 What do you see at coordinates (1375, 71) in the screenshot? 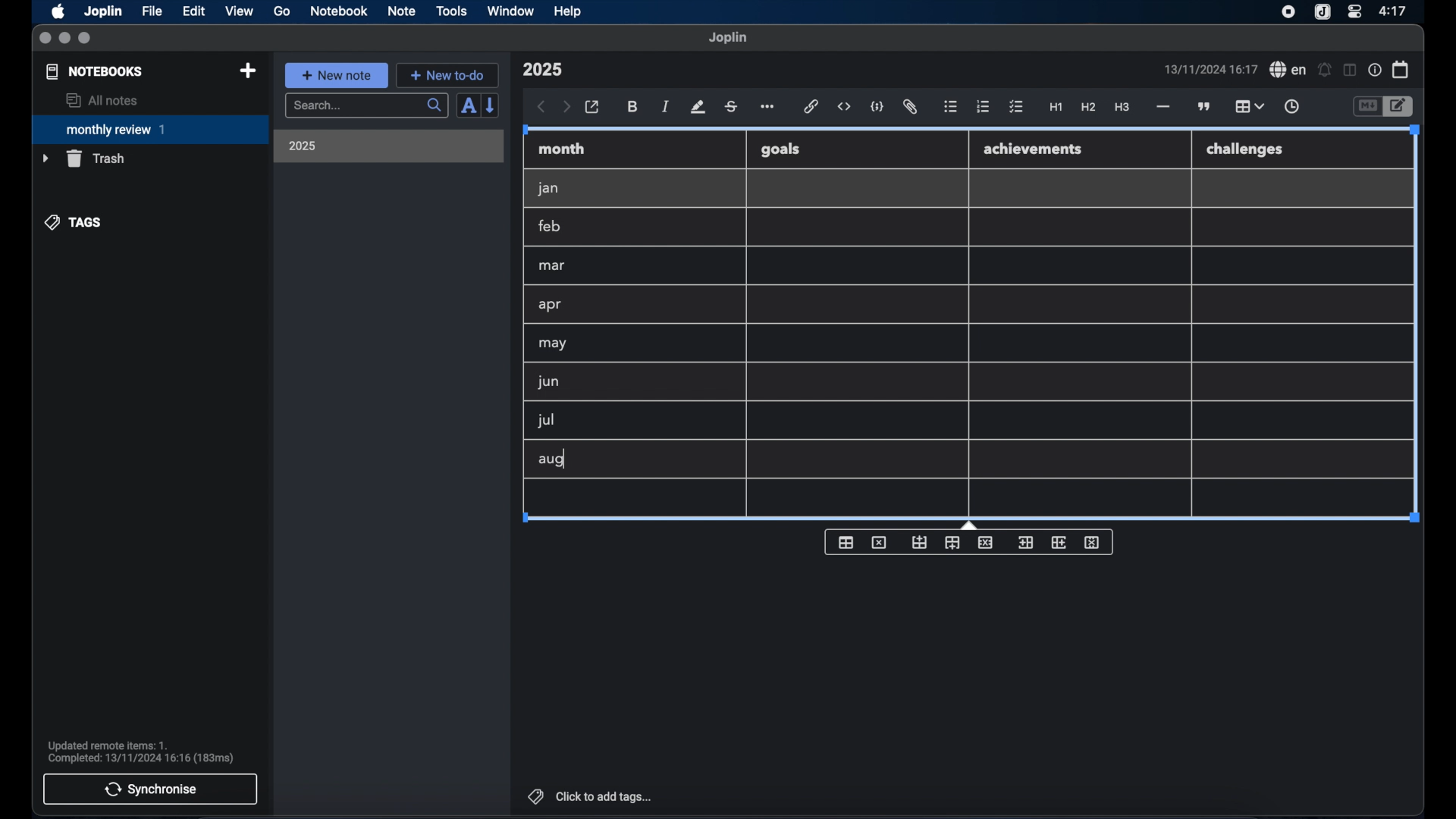
I see `note properties` at bounding box center [1375, 71].